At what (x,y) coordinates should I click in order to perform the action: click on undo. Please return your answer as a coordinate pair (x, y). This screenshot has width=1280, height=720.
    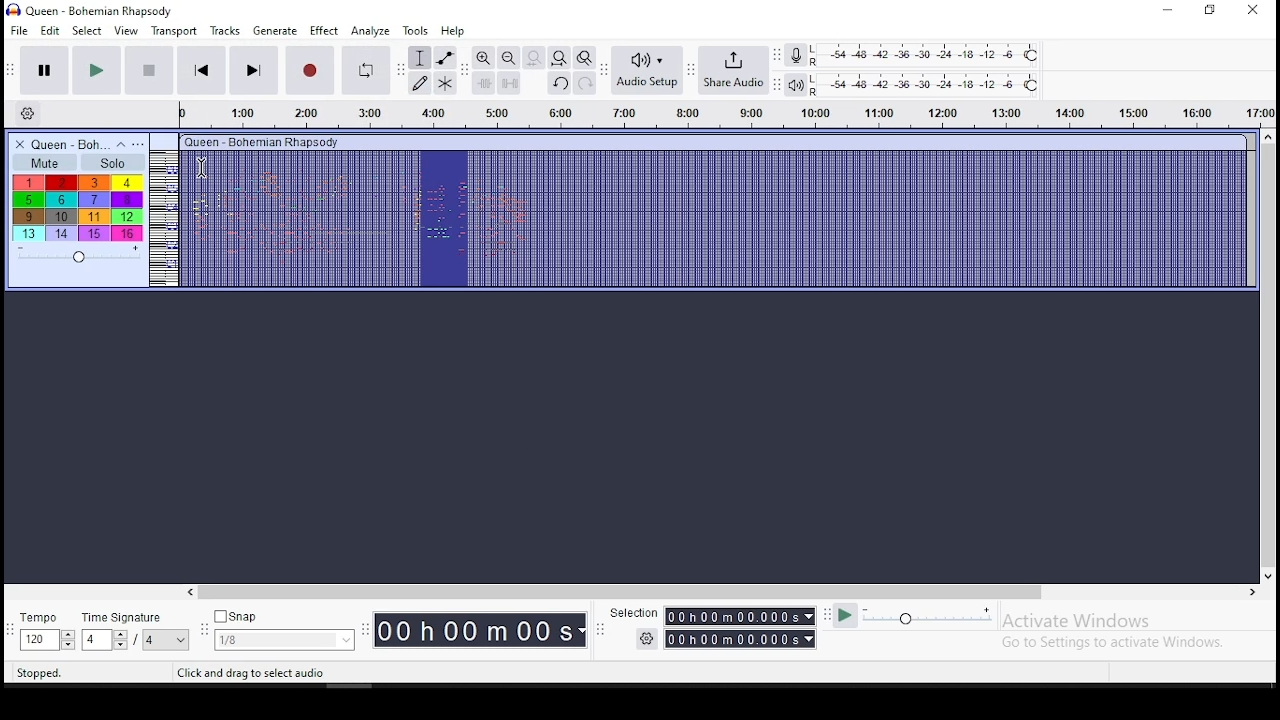
    Looking at the image, I should click on (559, 85).